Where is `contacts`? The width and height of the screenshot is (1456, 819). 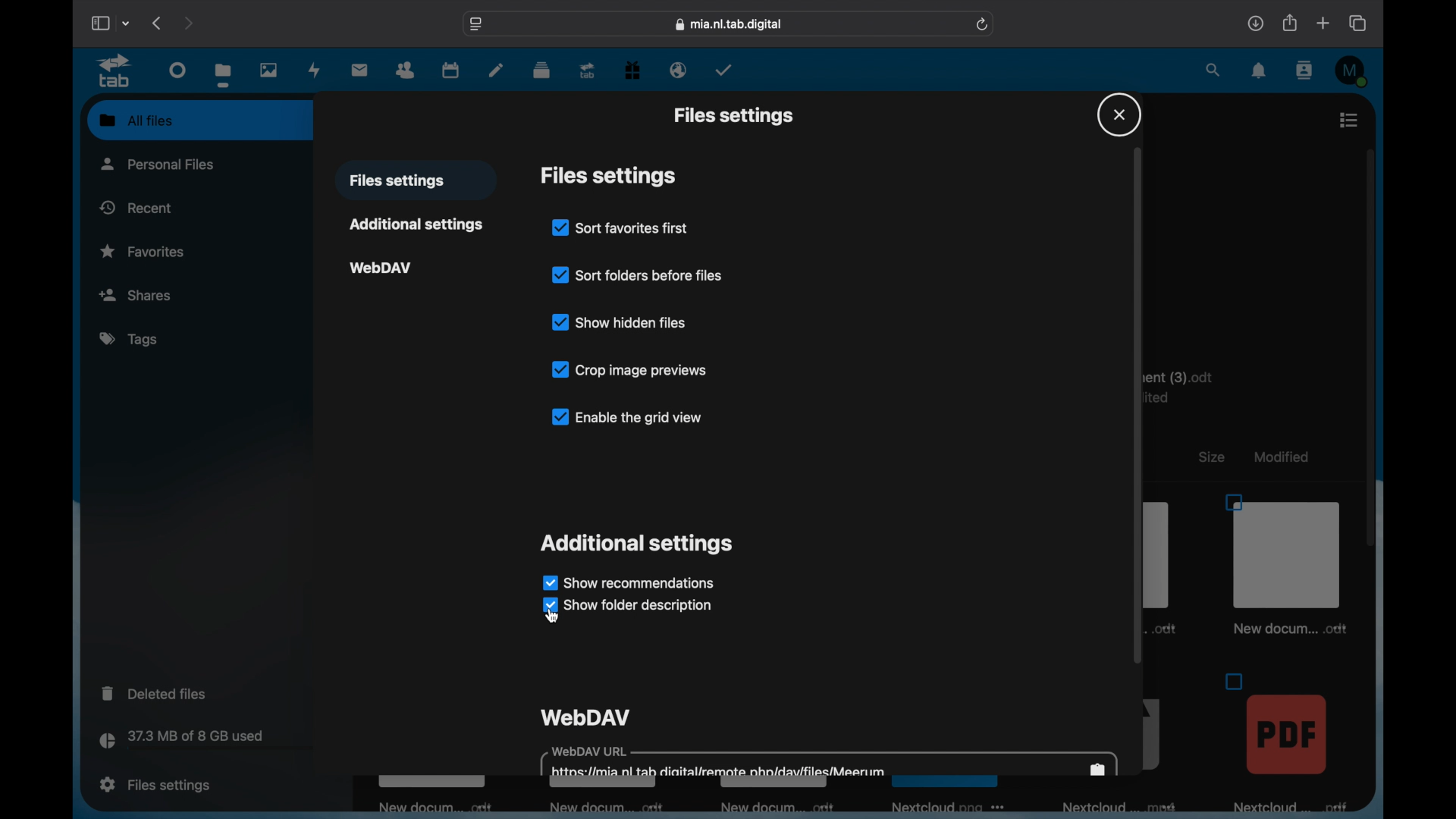 contacts is located at coordinates (406, 71).